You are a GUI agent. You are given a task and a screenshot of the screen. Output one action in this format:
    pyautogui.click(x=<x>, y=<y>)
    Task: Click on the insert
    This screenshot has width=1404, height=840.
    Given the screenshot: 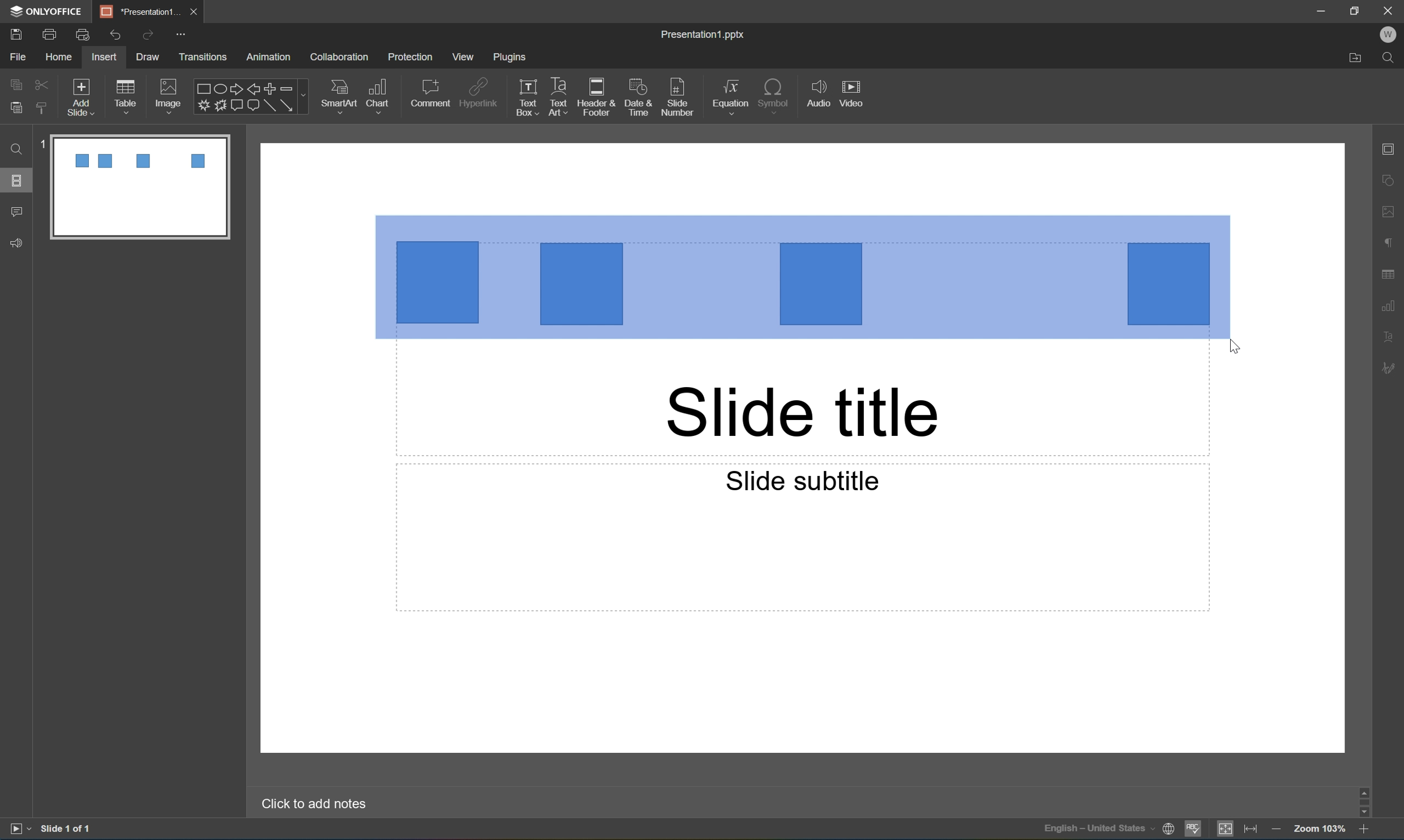 What is the action you would take?
    pyautogui.click(x=105, y=57)
    